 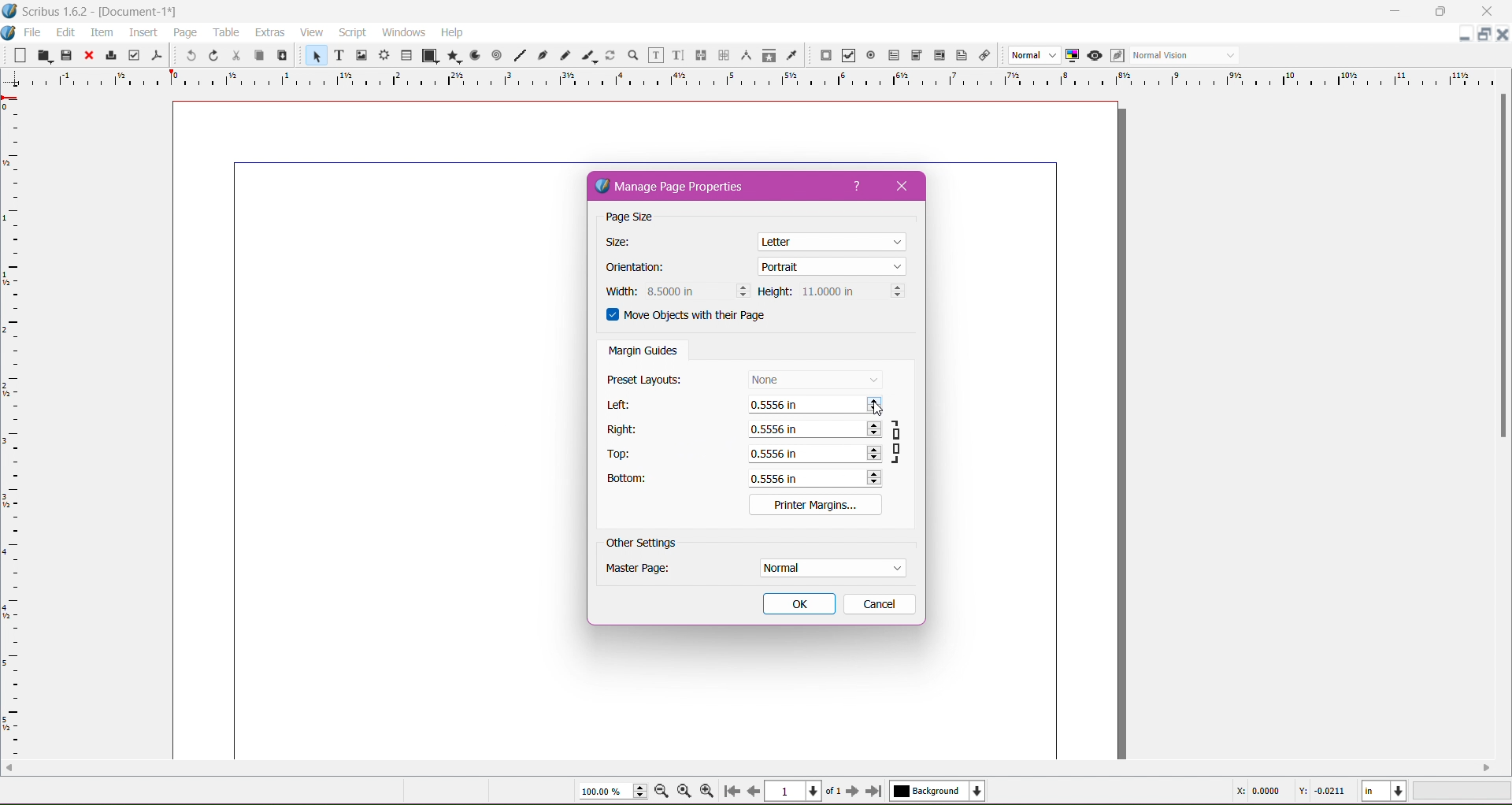 What do you see at coordinates (814, 379) in the screenshot?
I see `Set Preset Layouts` at bounding box center [814, 379].